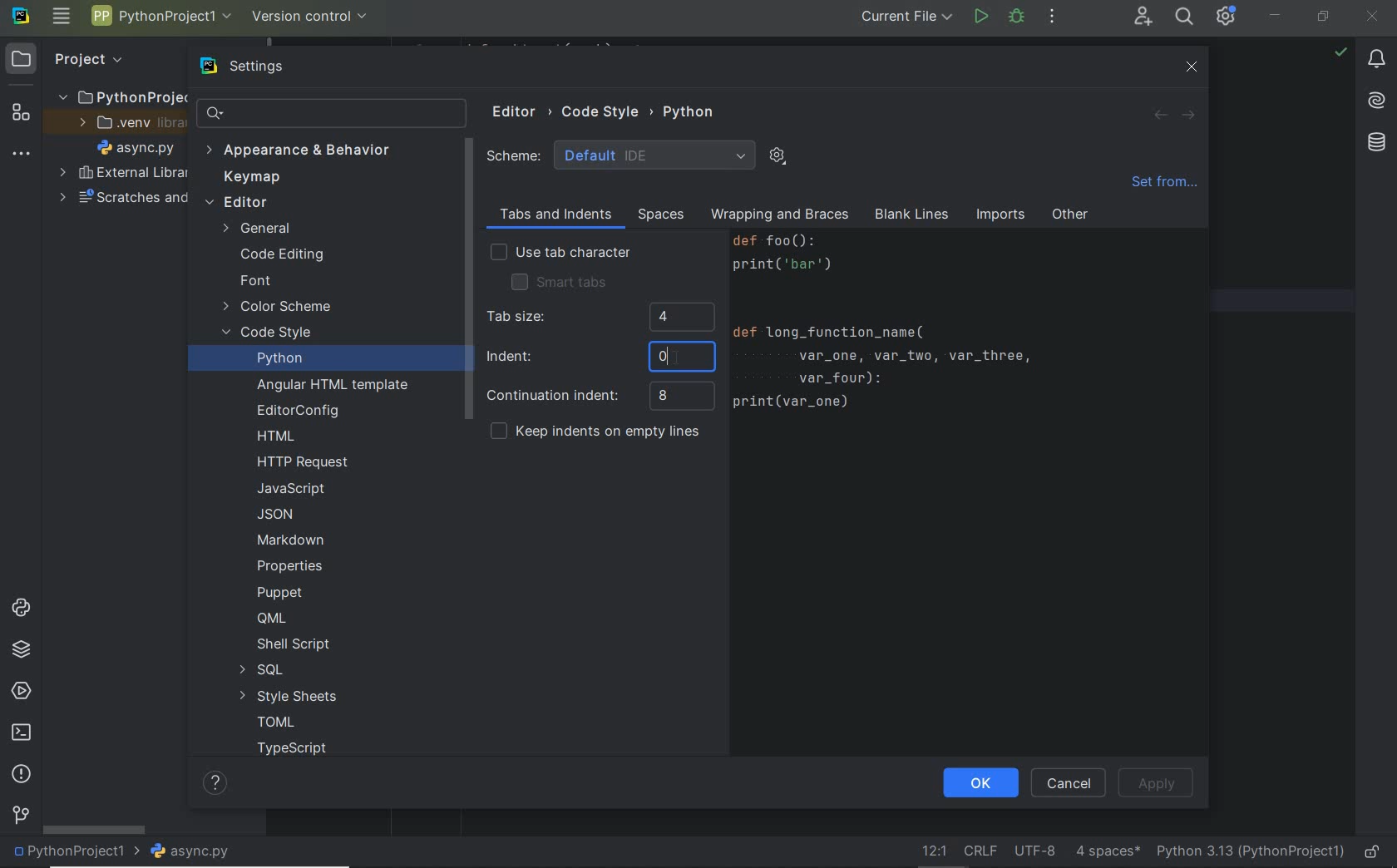  I want to click on line separator, so click(983, 849).